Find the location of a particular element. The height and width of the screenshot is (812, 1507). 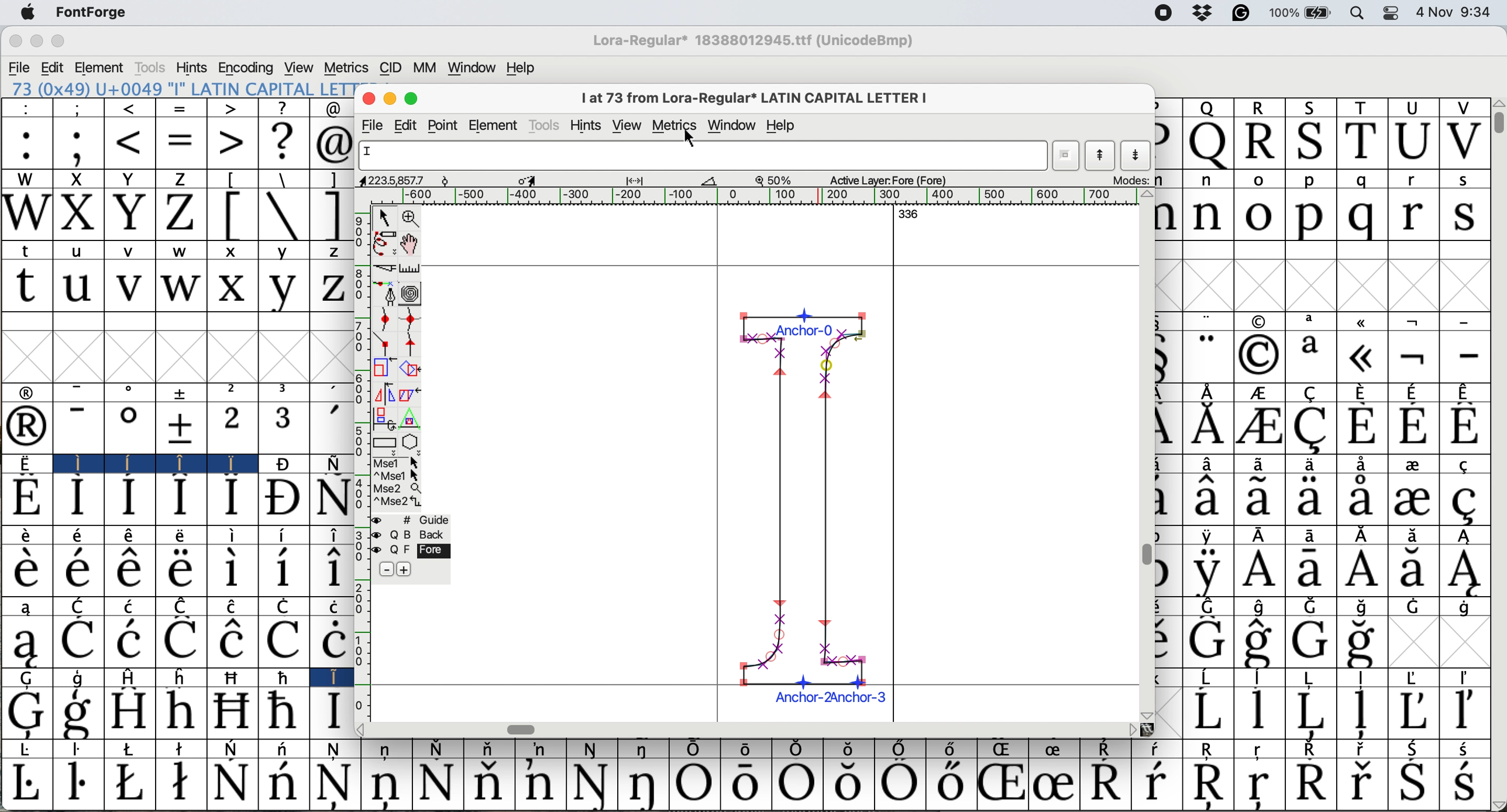

Symbol is located at coordinates (1315, 535).